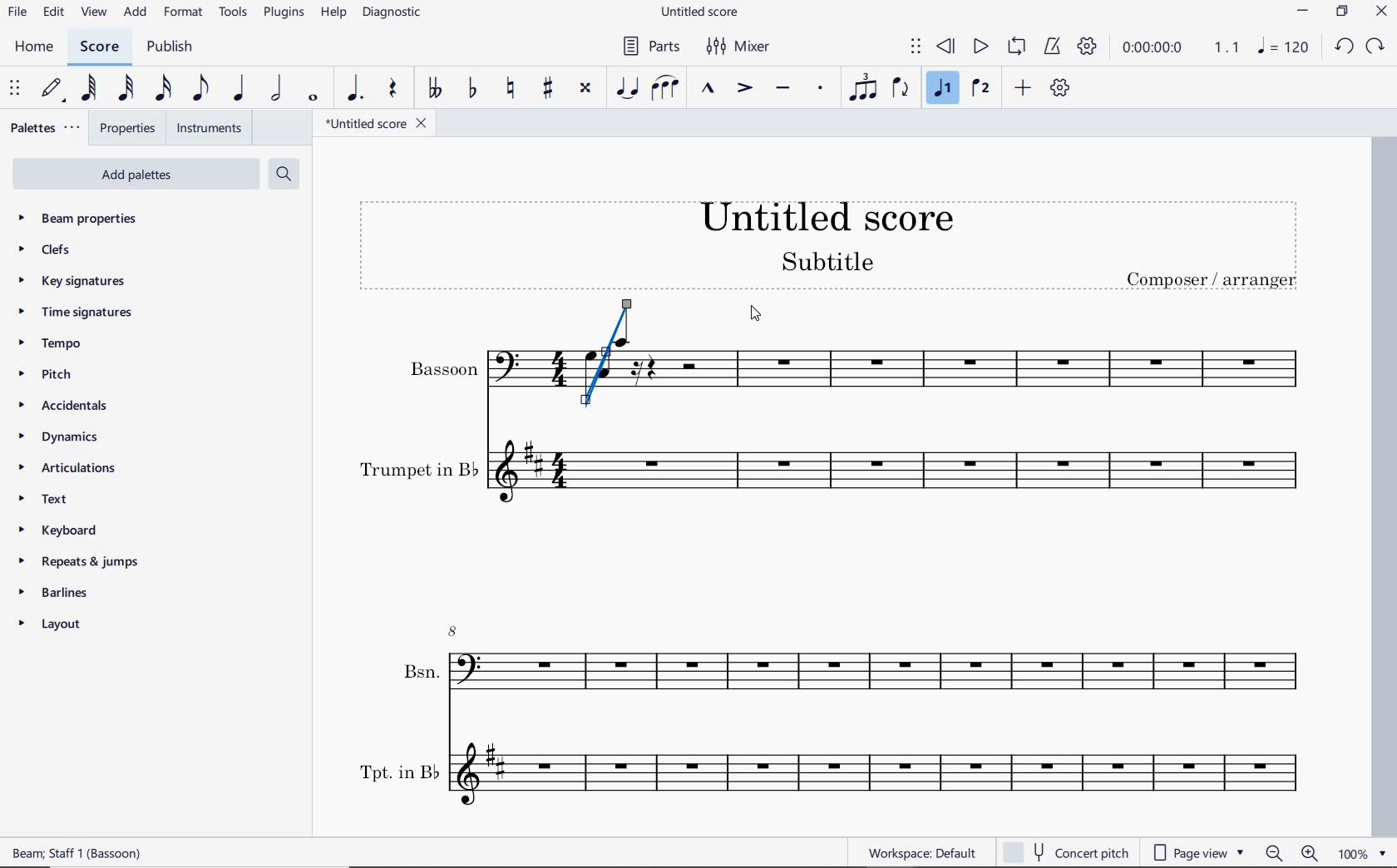  What do you see at coordinates (835, 239) in the screenshot?
I see `title` at bounding box center [835, 239].